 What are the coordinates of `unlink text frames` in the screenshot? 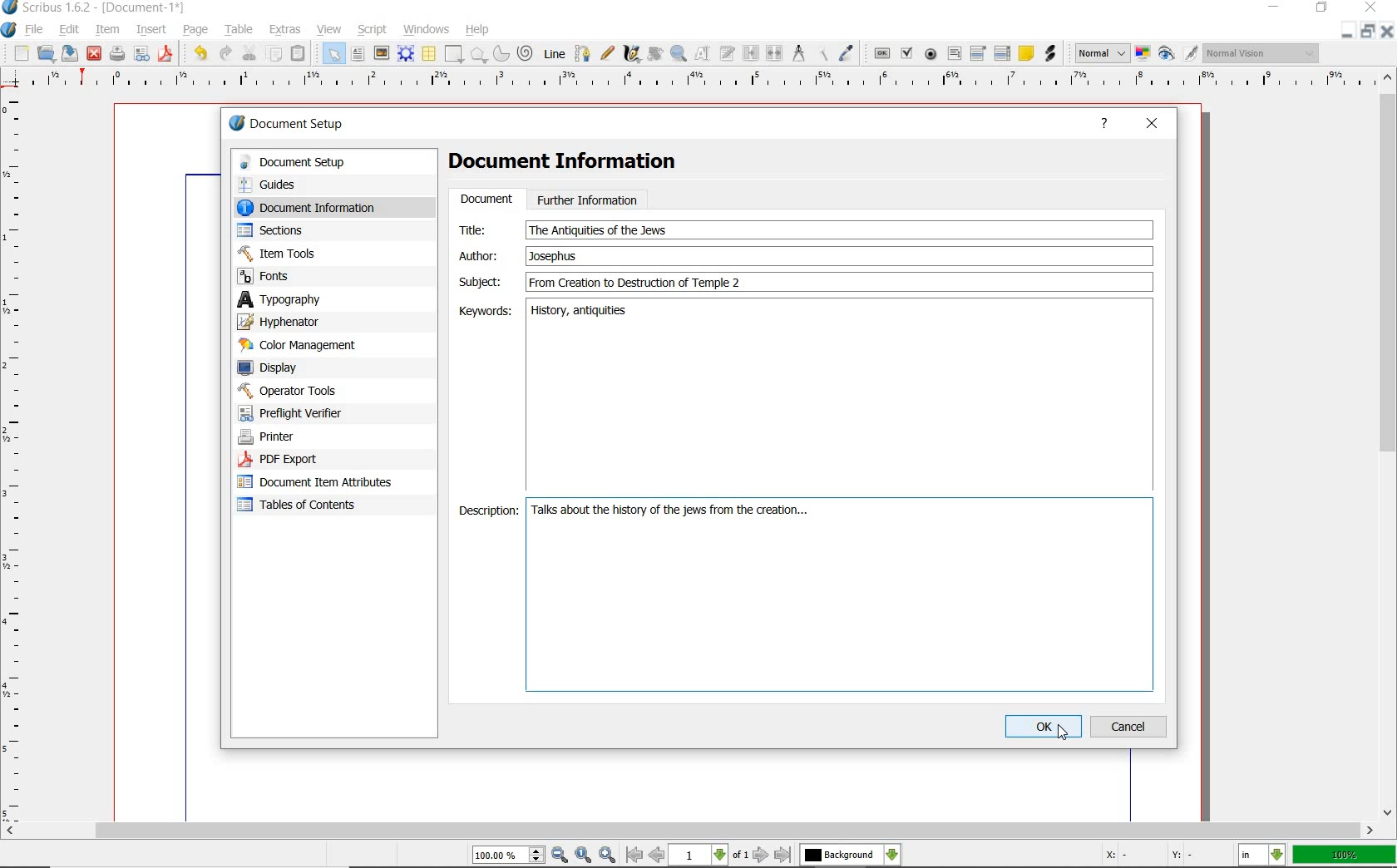 It's located at (775, 52).